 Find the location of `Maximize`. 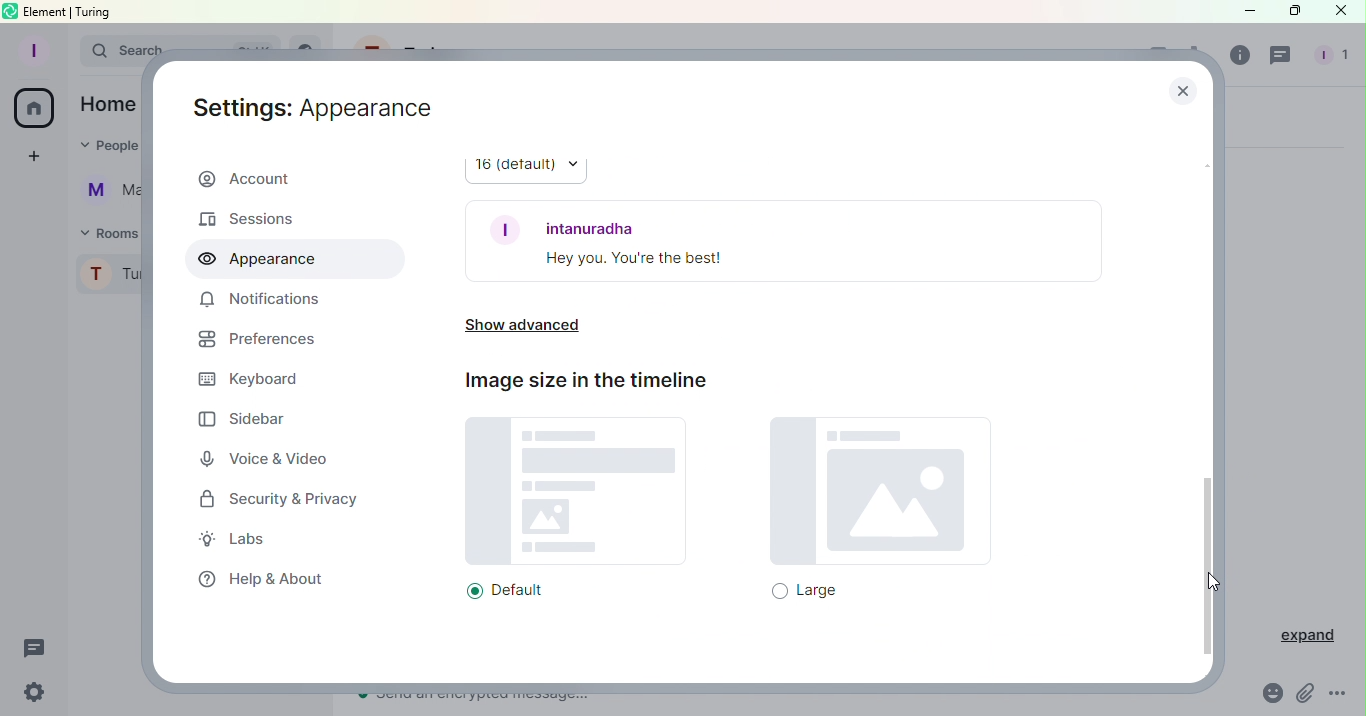

Maximize is located at coordinates (1294, 12).